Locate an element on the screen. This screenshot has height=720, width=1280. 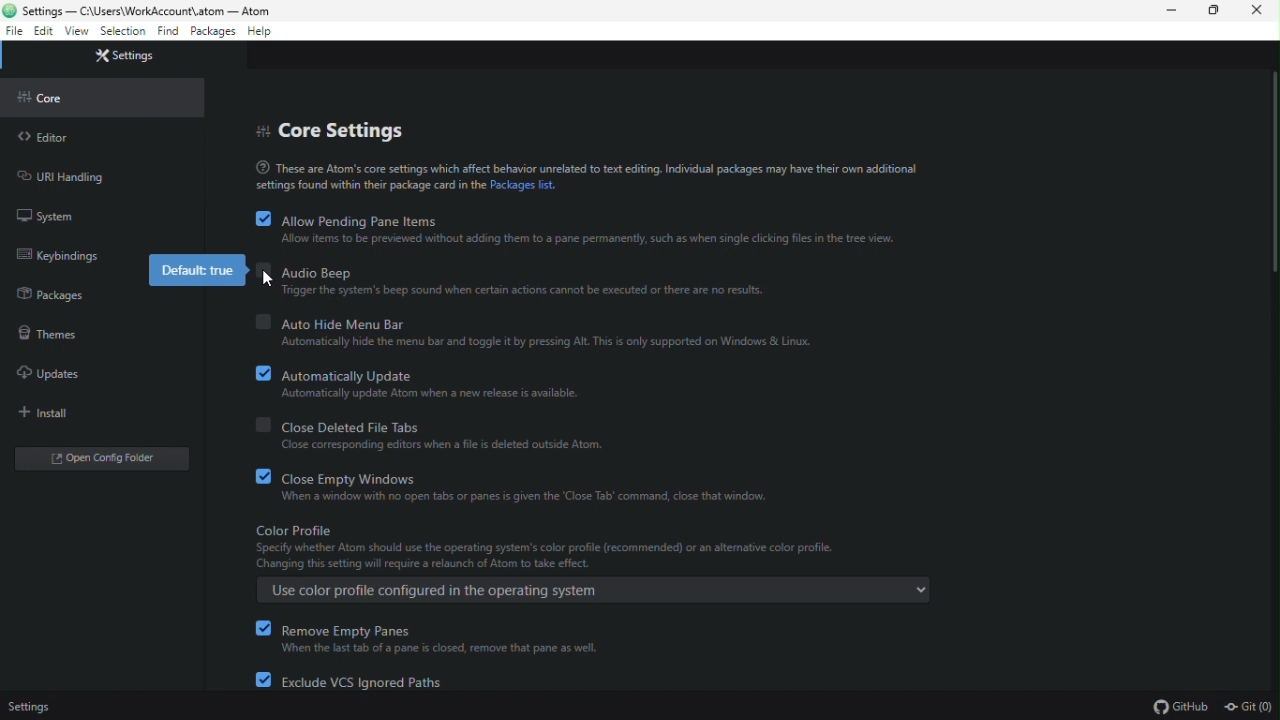
packages is located at coordinates (212, 32).